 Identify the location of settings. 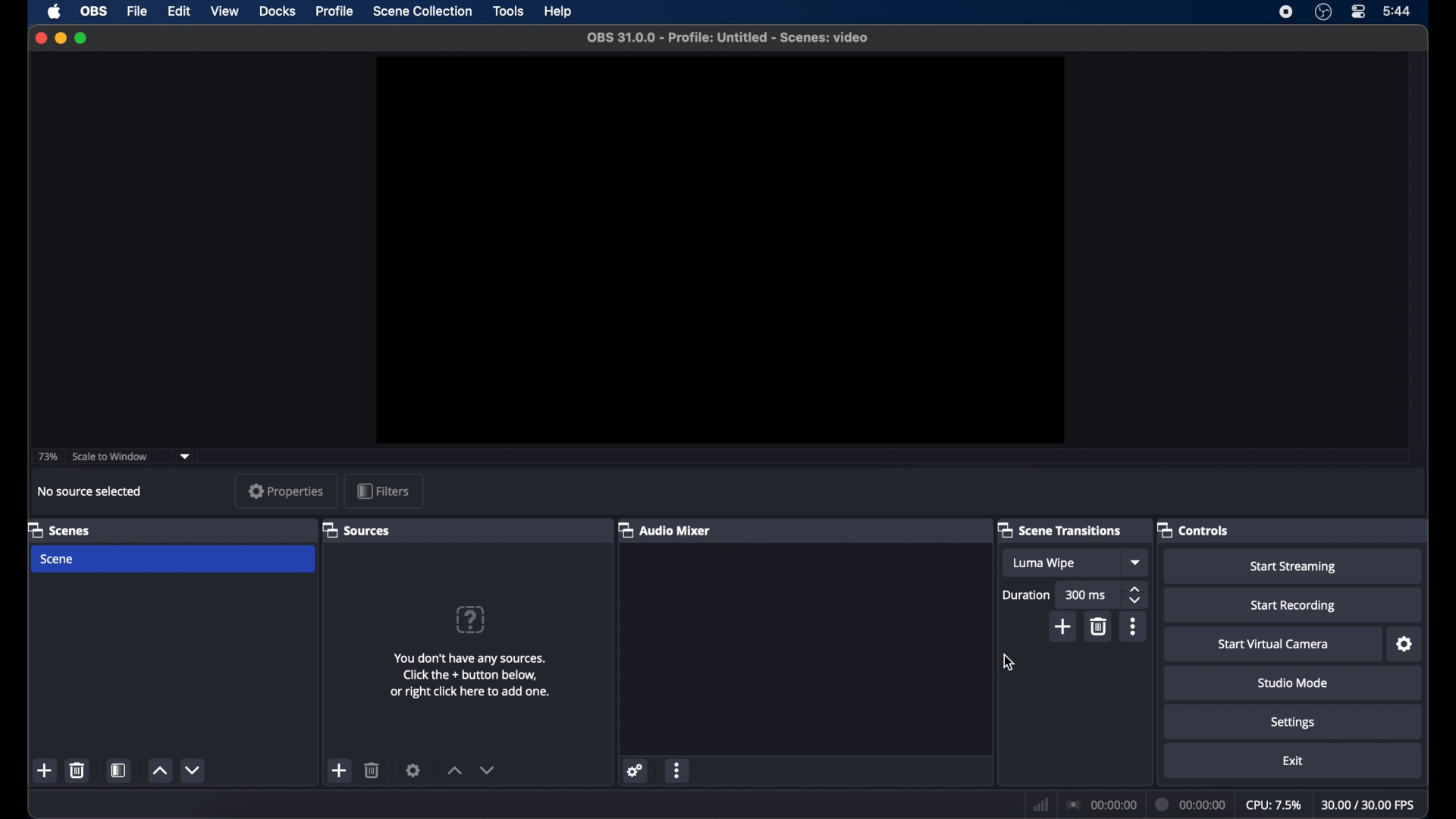
(1292, 723).